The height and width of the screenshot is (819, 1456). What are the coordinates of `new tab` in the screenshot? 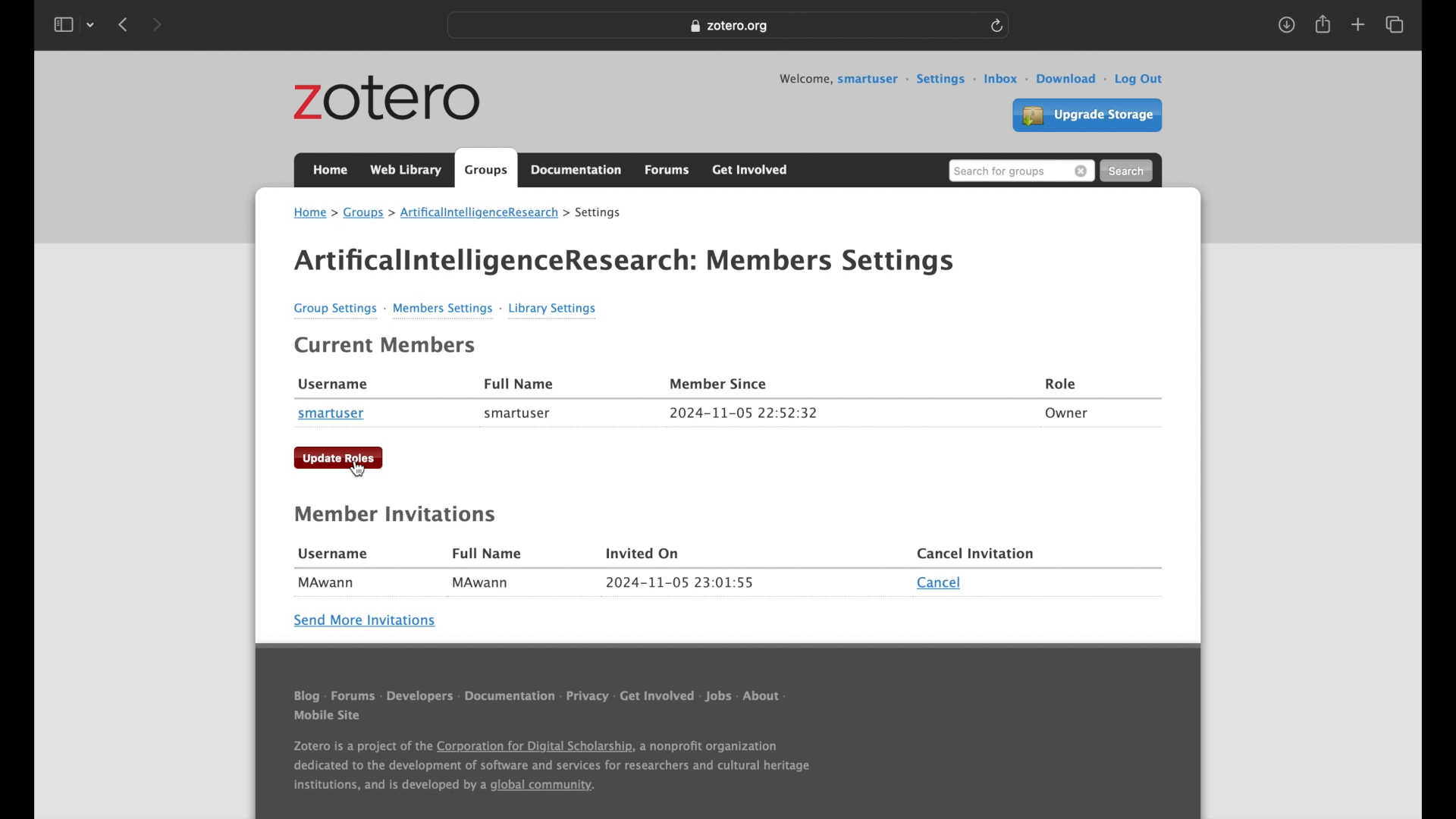 It's located at (1357, 25).